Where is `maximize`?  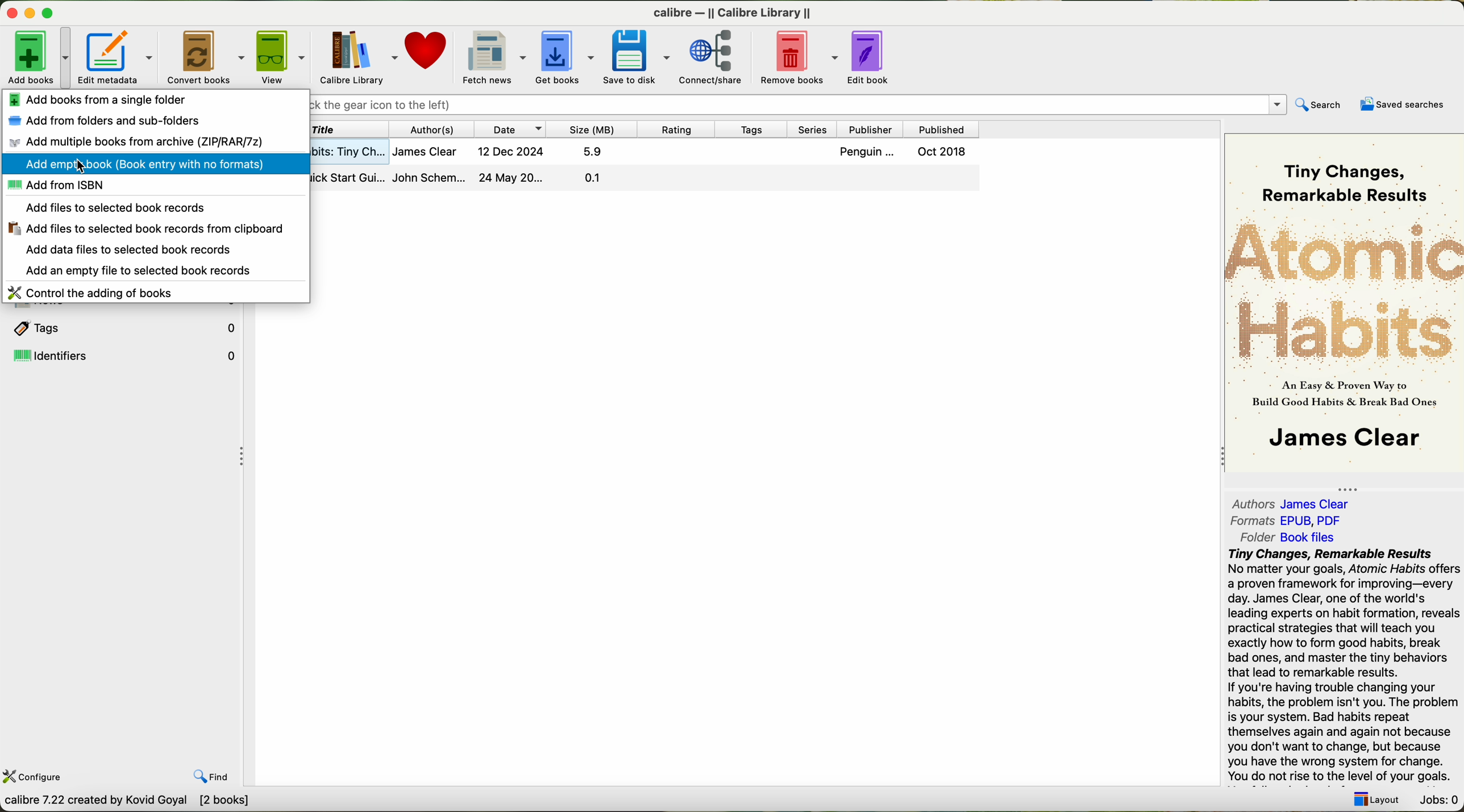
maximize is located at coordinates (49, 12).